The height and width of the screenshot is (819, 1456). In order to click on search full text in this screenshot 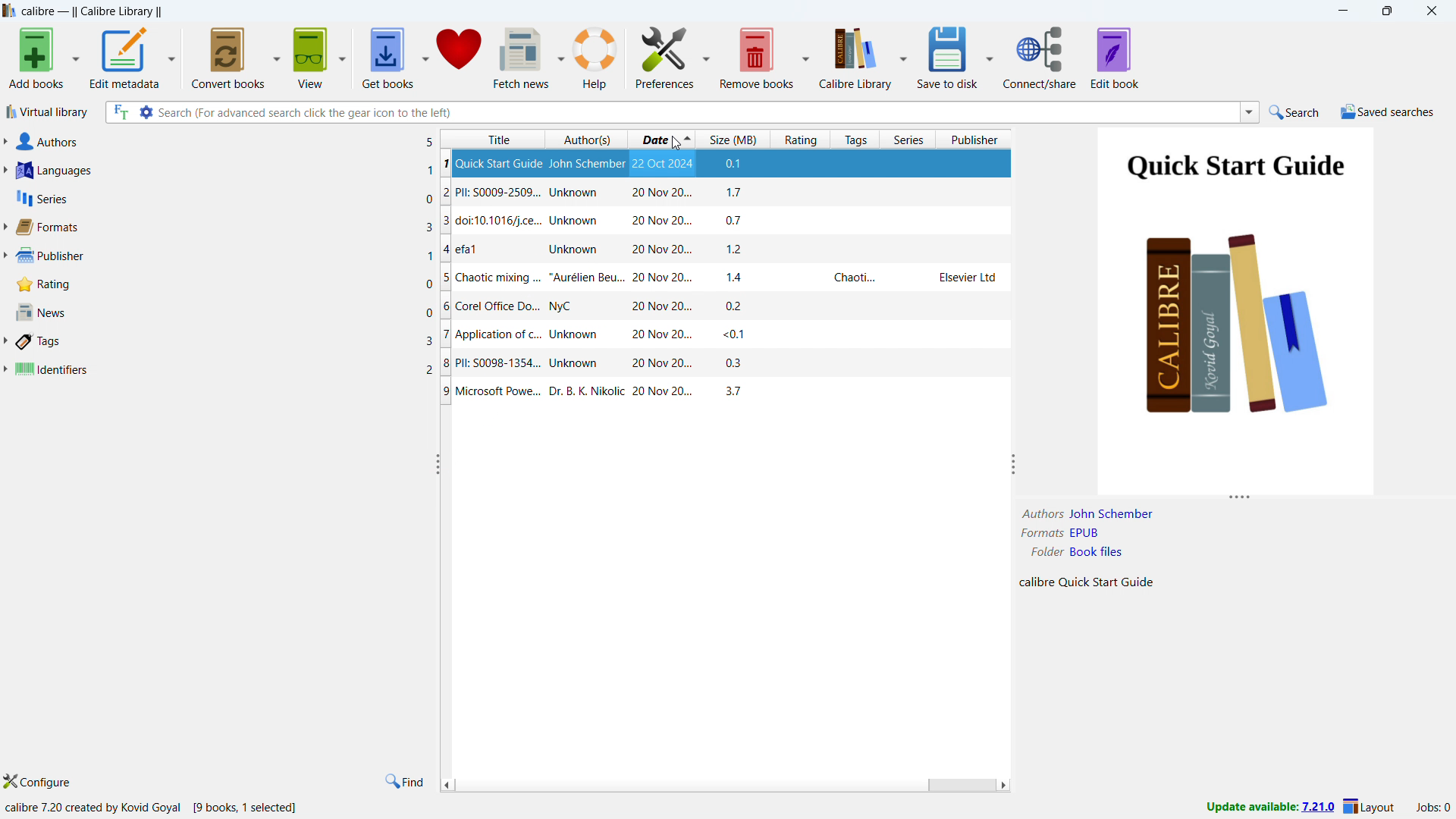, I will do `click(118, 111)`.